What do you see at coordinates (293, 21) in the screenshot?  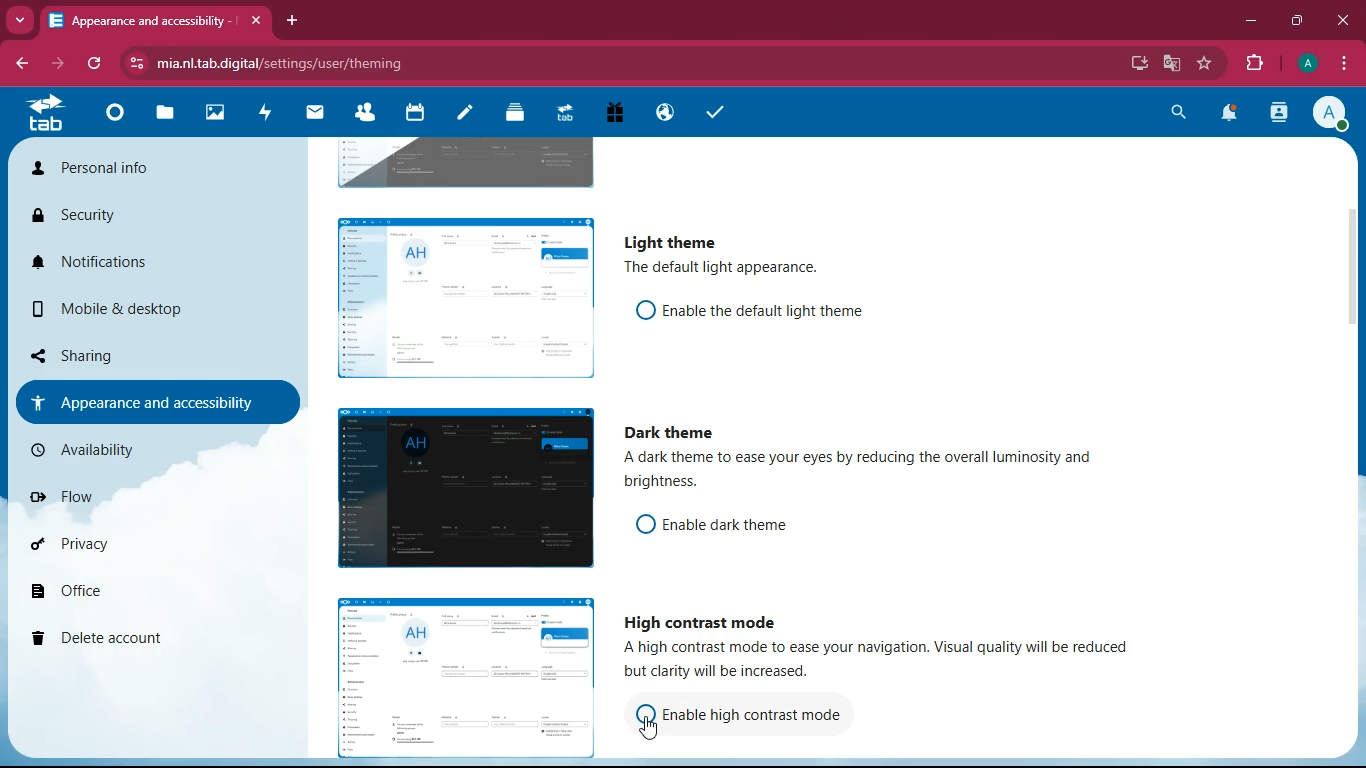 I see `add tab` at bounding box center [293, 21].